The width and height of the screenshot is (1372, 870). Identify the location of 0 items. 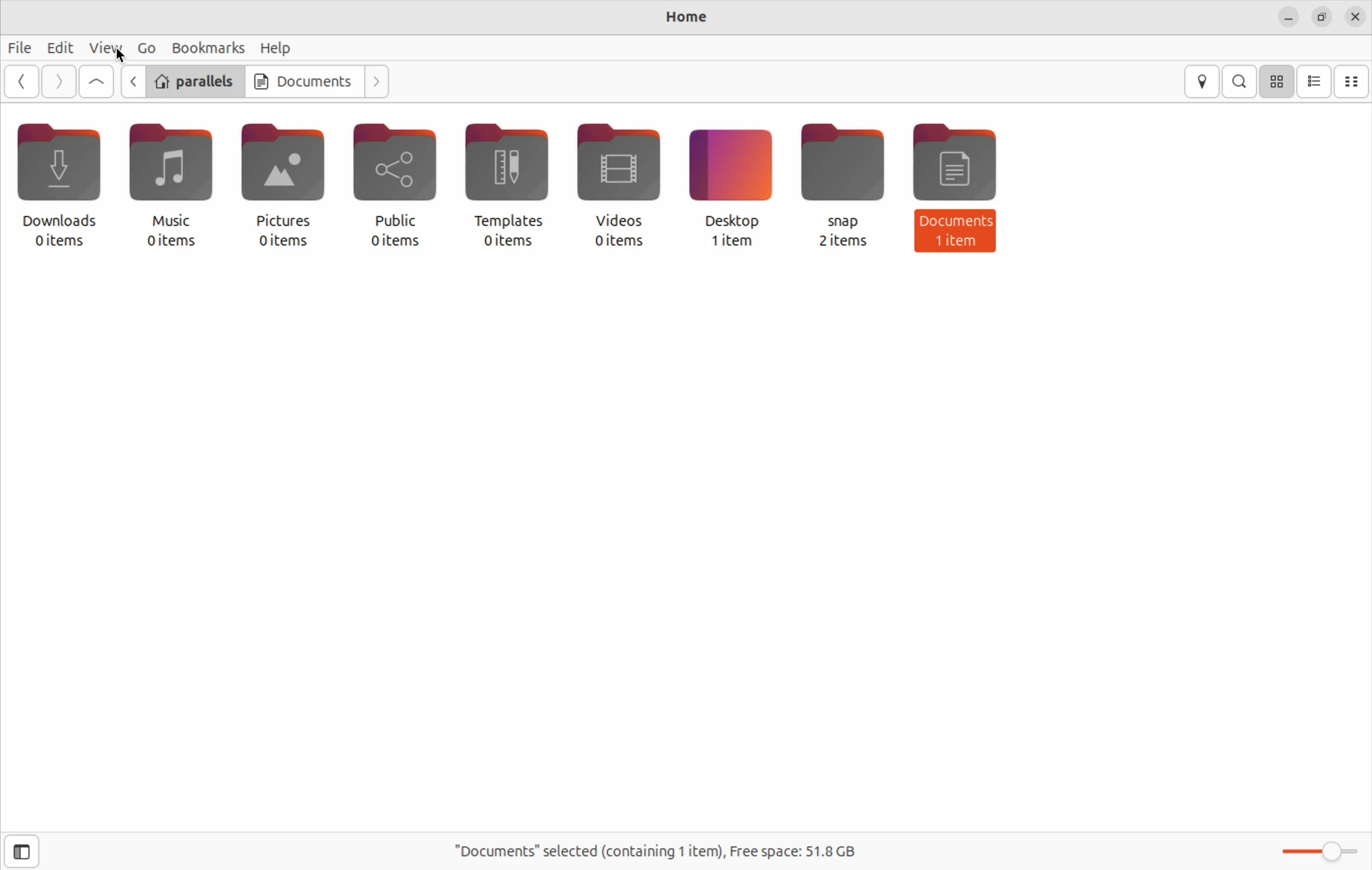
(612, 244).